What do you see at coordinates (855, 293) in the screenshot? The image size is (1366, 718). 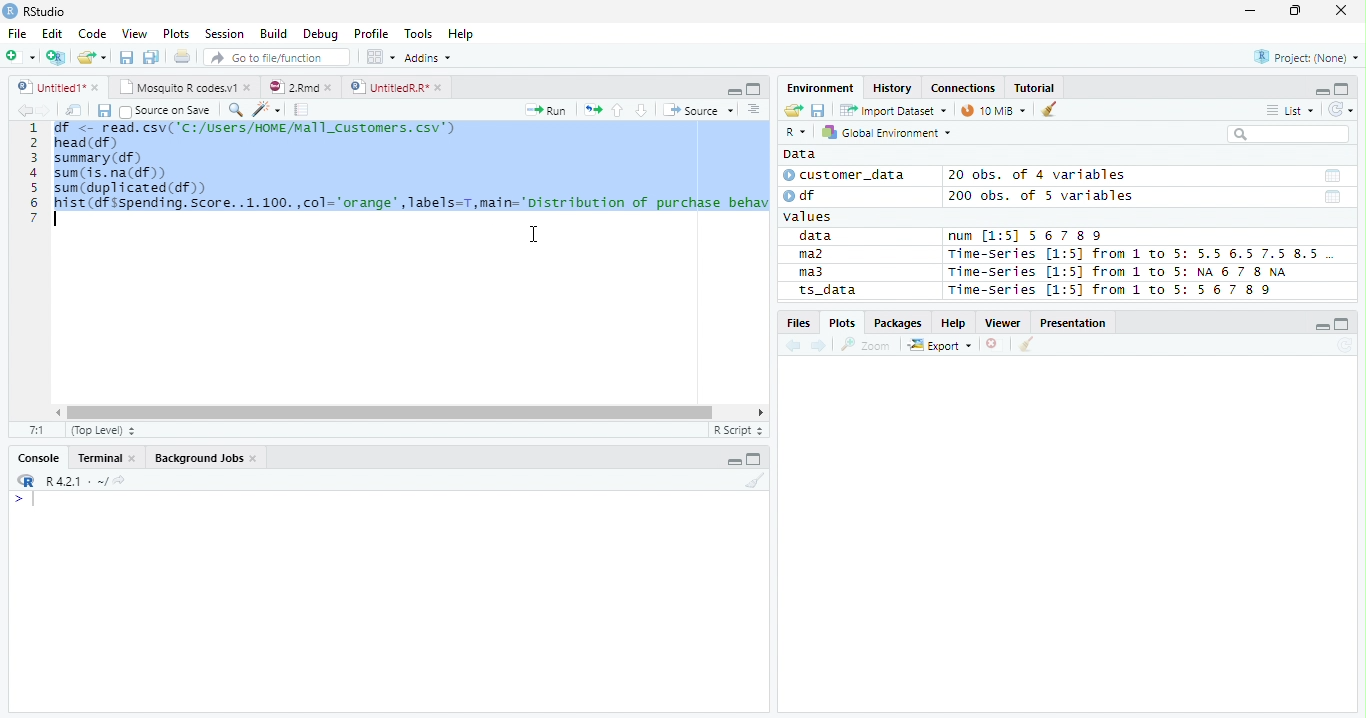 I see `ts_data` at bounding box center [855, 293].